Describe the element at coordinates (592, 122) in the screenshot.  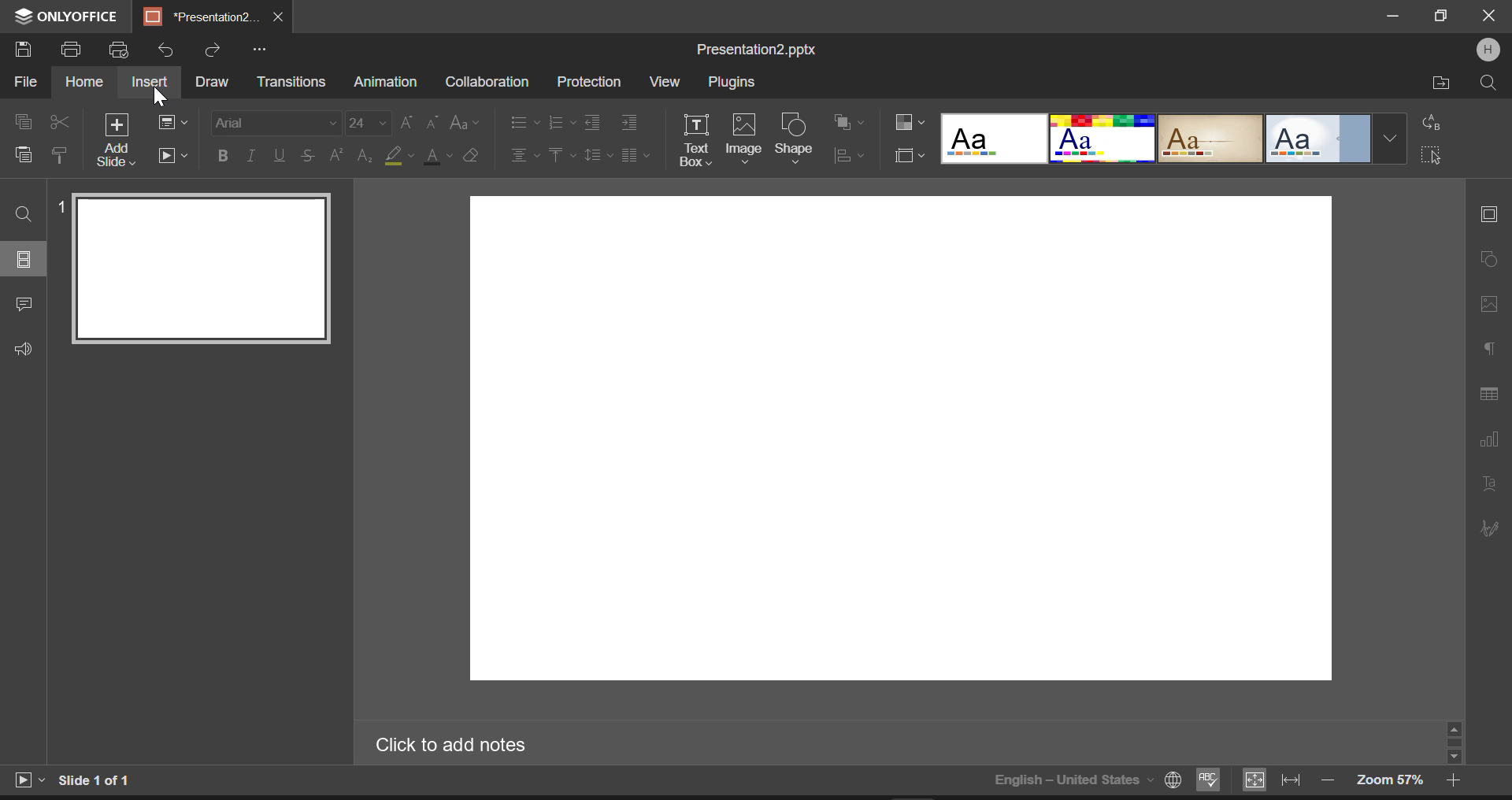
I see `Decrease Indent` at that location.